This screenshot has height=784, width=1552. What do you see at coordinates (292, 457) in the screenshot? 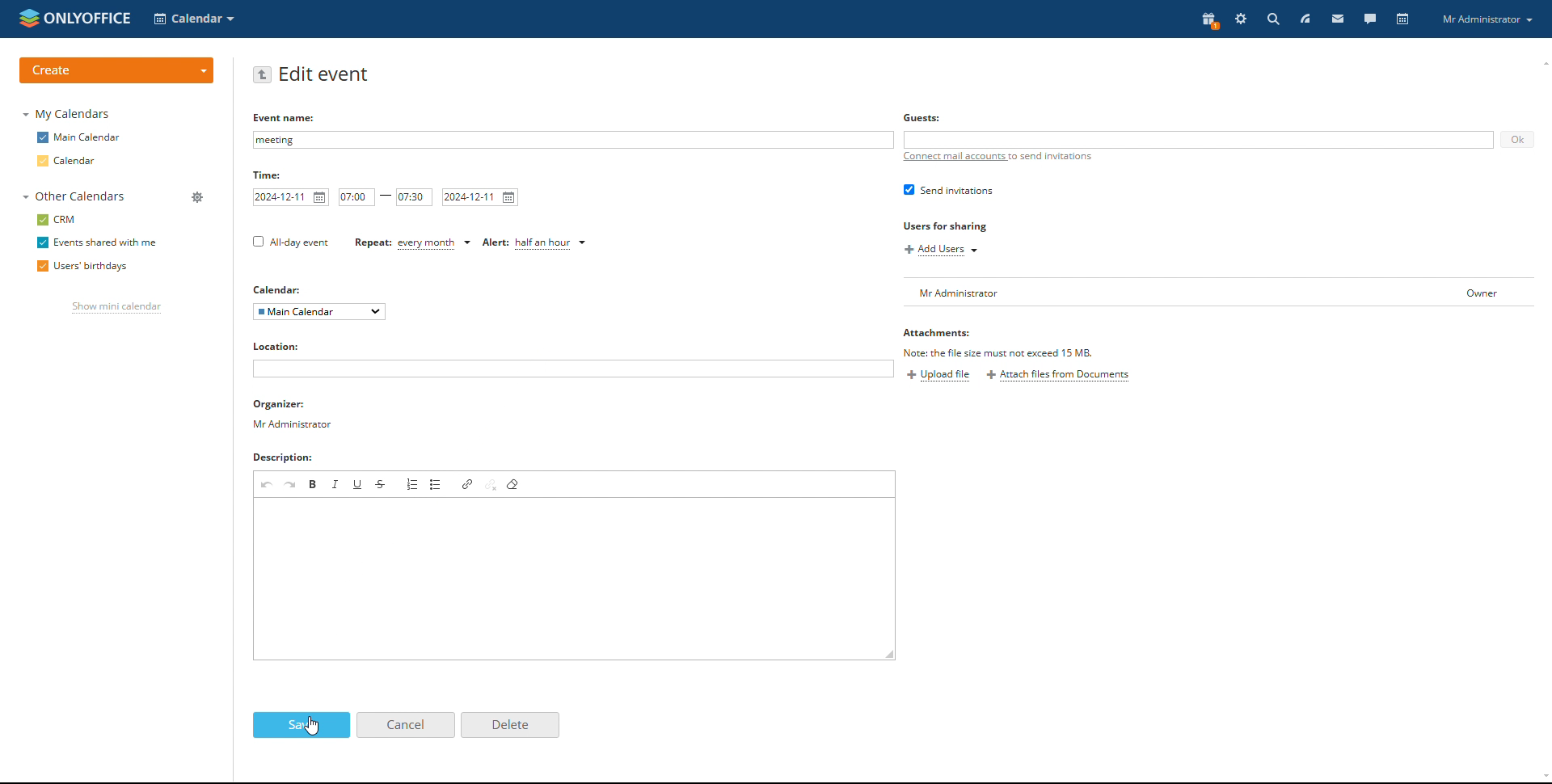
I see `Description:` at bounding box center [292, 457].